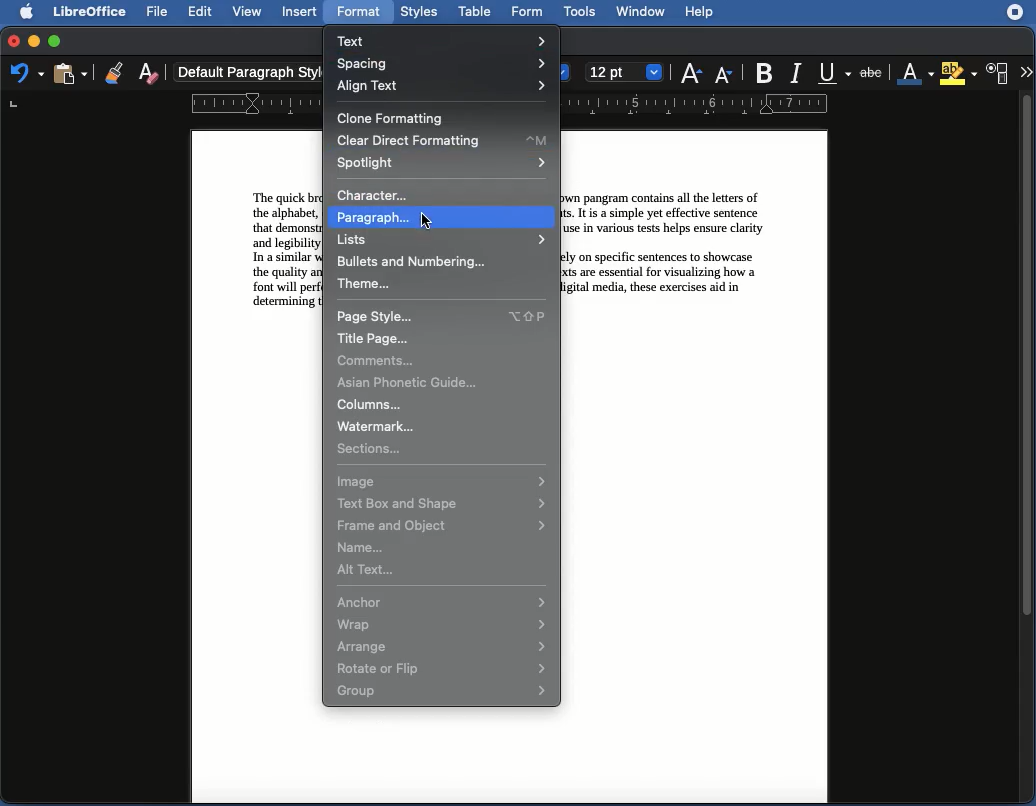  Describe the element at coordinates (443, 528) in the screenshot. I see `Frame and object` at that location.